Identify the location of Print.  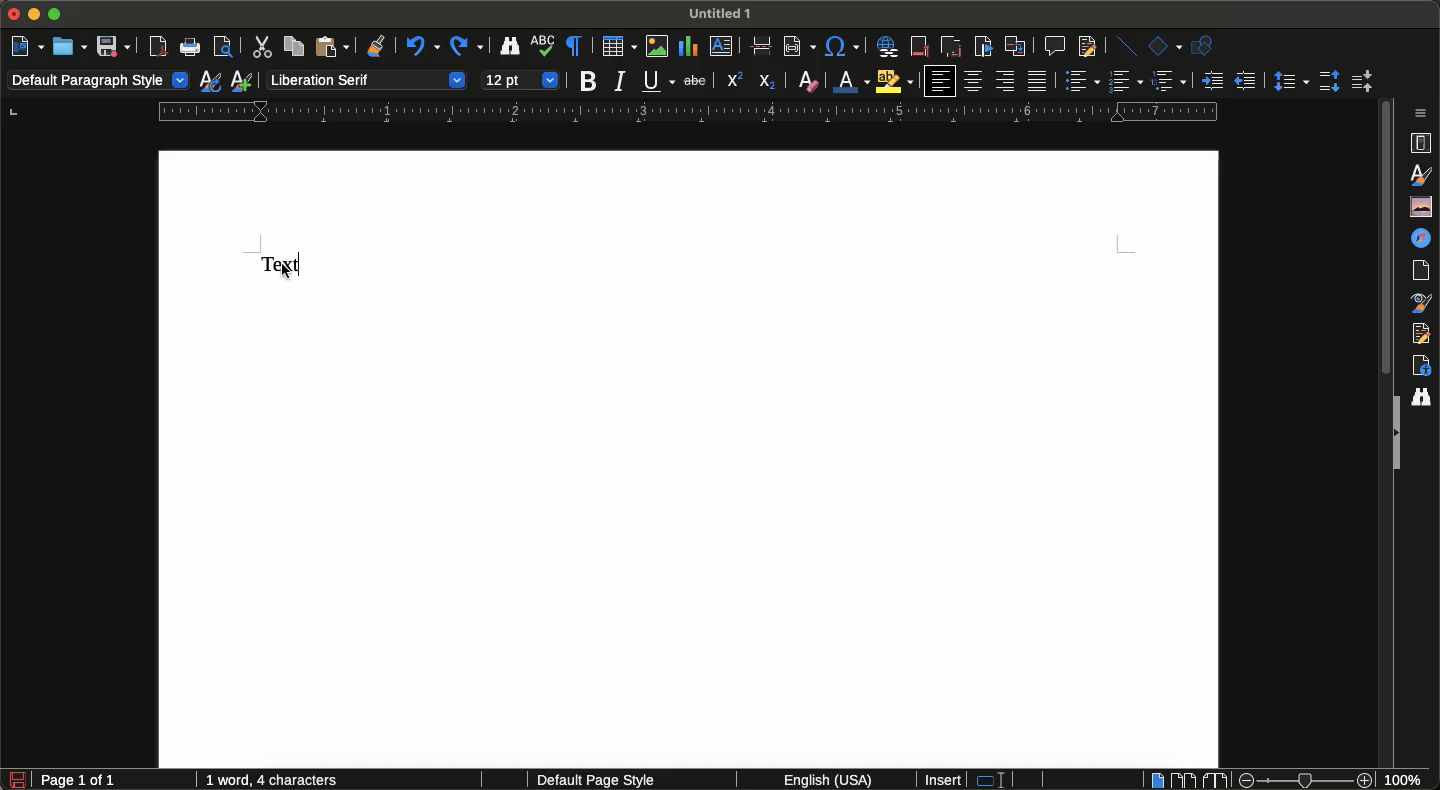
(192, 49).